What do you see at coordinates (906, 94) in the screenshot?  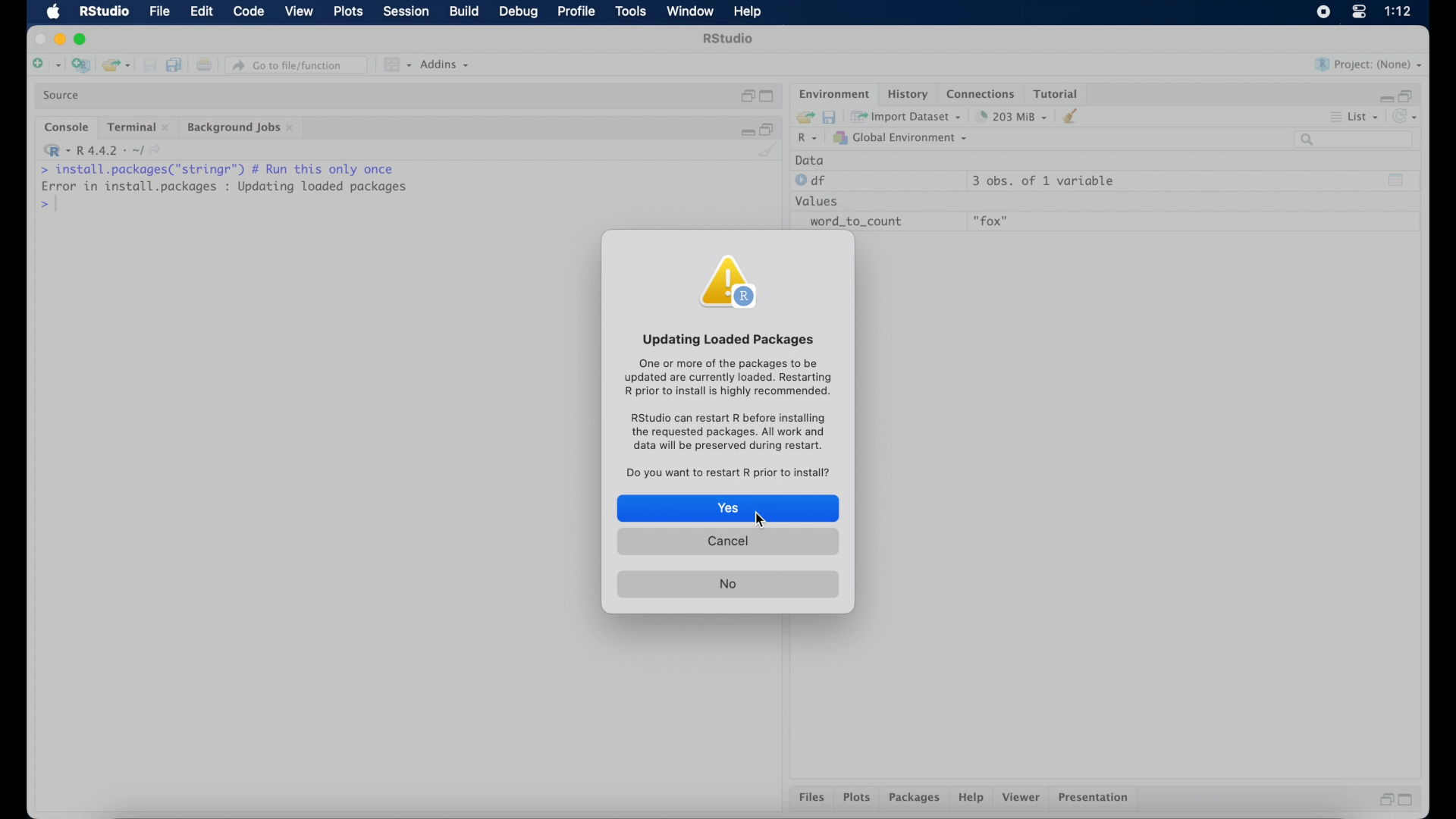 I see `history` at bounding box center [906, 94].